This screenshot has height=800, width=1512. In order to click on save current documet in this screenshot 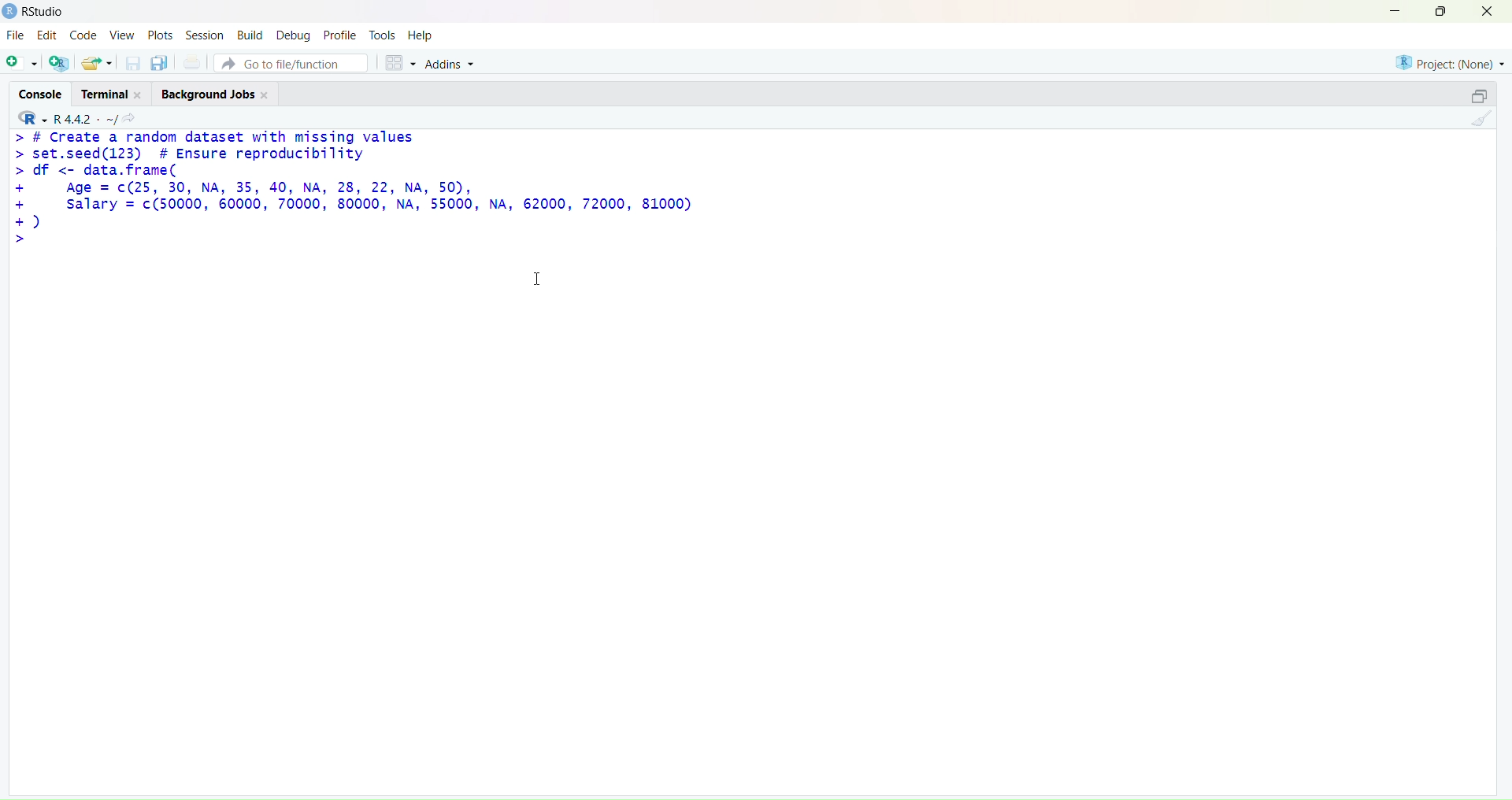, I will do `click(132, 64)`.